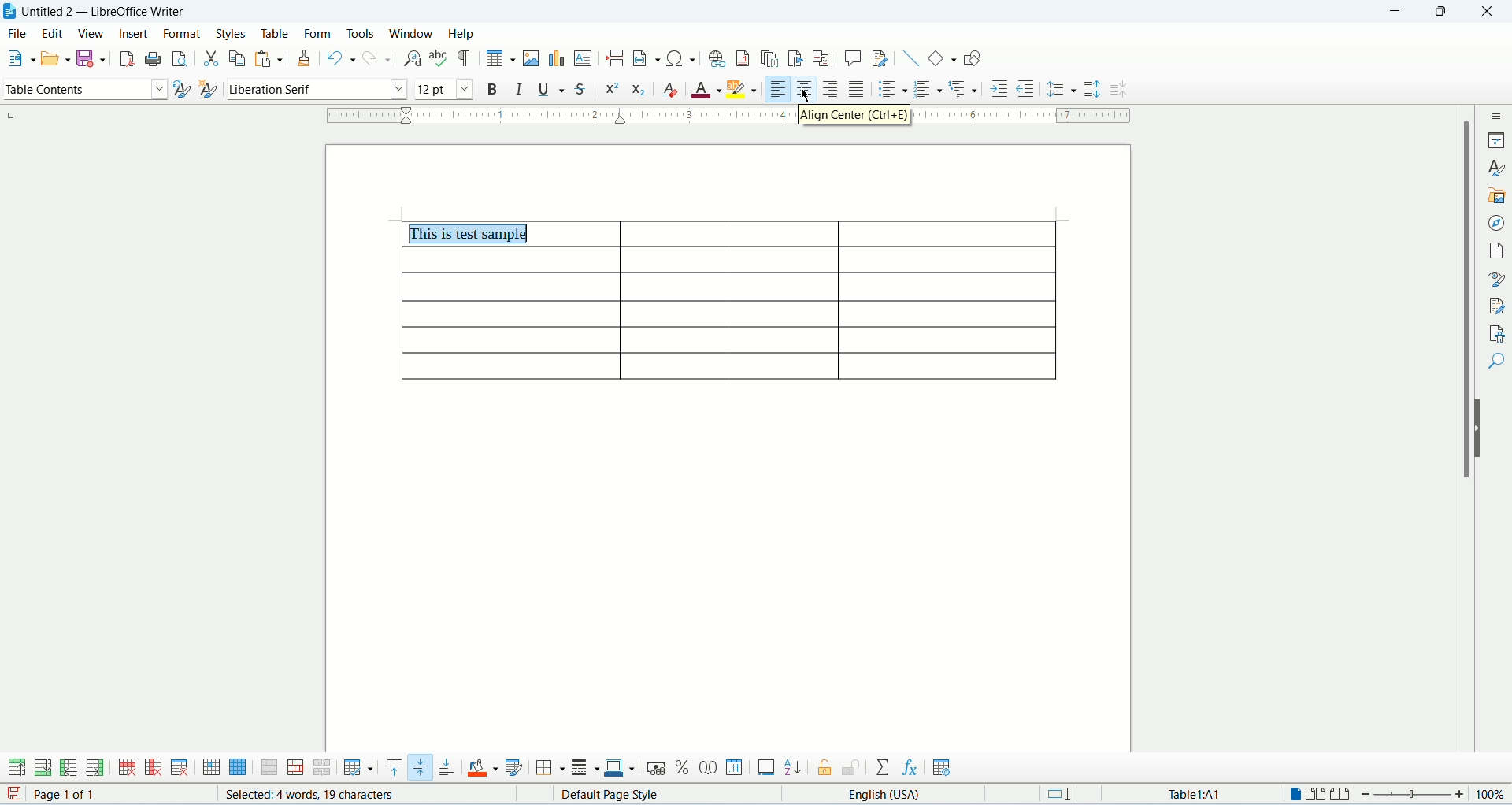  What do you see at coordinates (322, 768) in the screenshot?
I see `split table` at bounding box center [322, 768].